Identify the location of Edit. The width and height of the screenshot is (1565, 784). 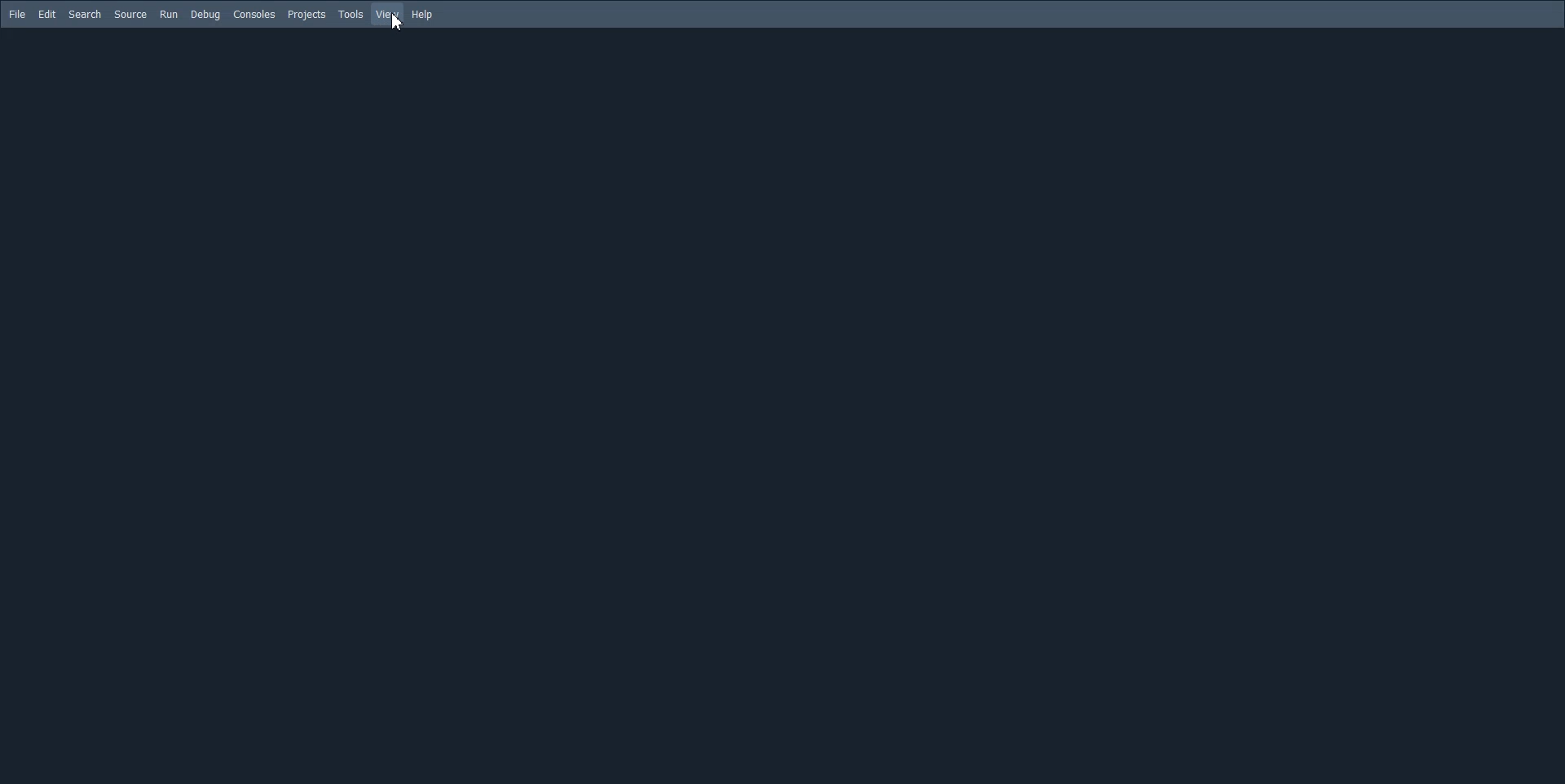
(46, 15).